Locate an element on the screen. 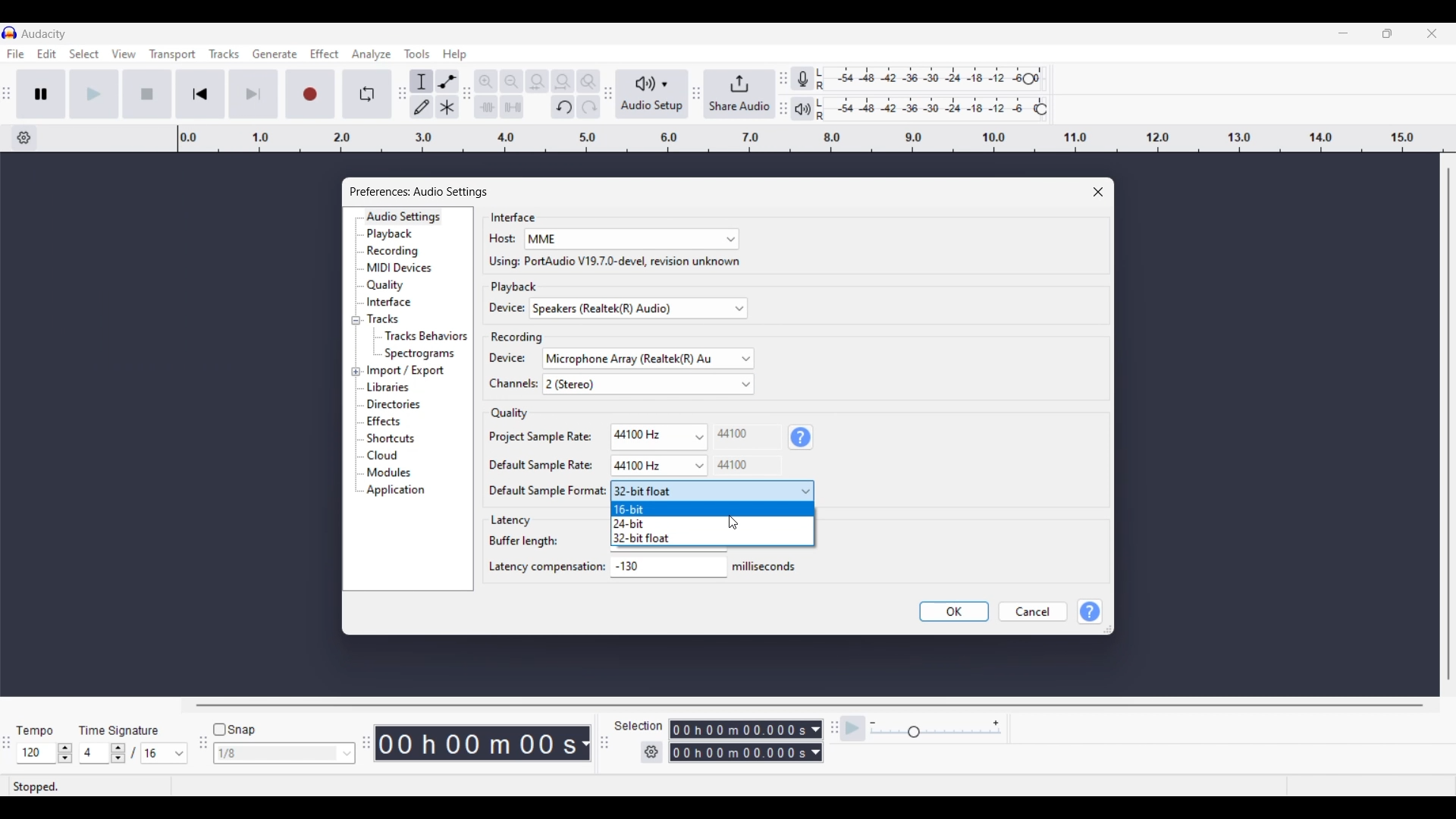 The image size is (1456, 819). Generate menu is located at coordinates (275, 54).